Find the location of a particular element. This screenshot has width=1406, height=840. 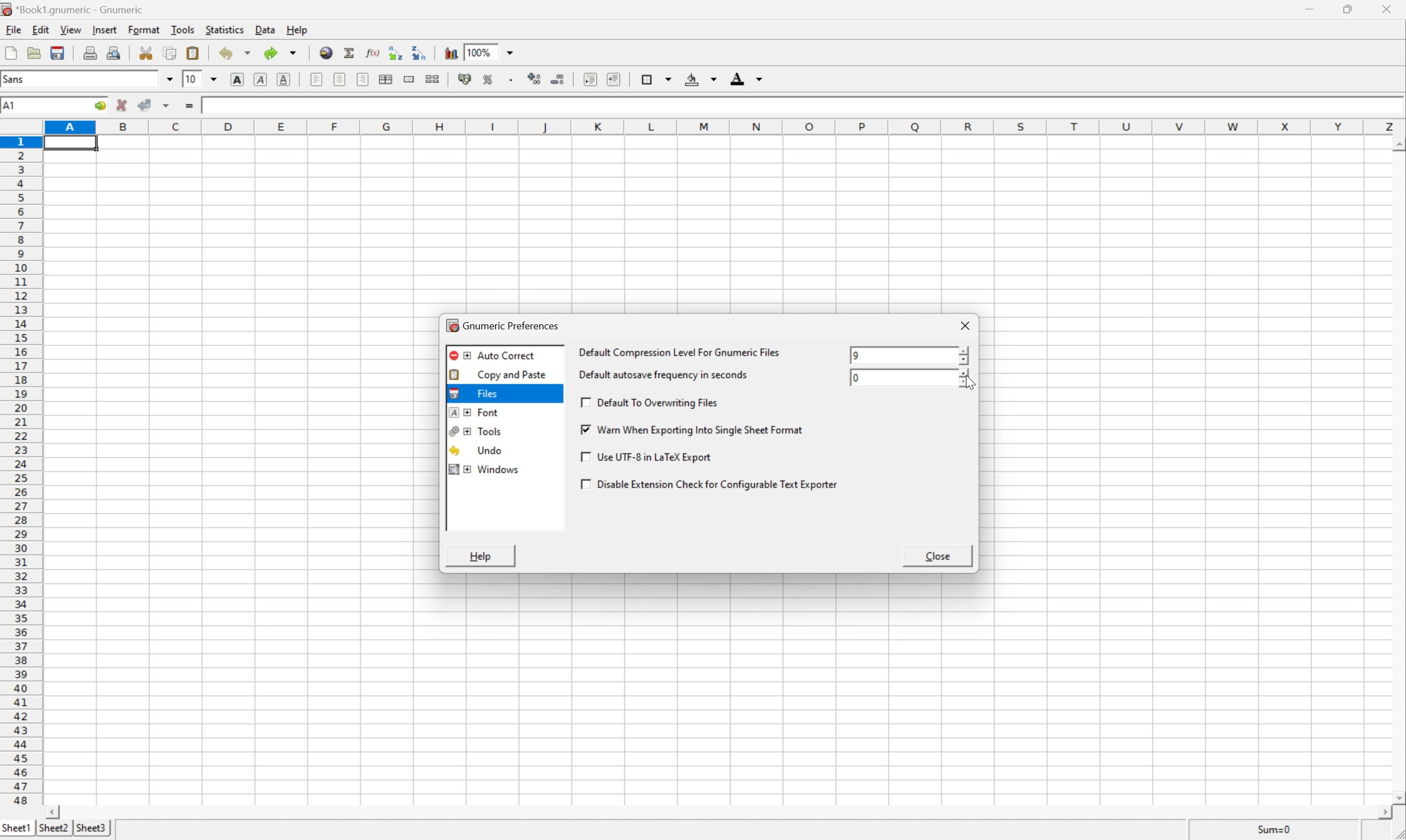

italic is located at coordinates (259, 78).